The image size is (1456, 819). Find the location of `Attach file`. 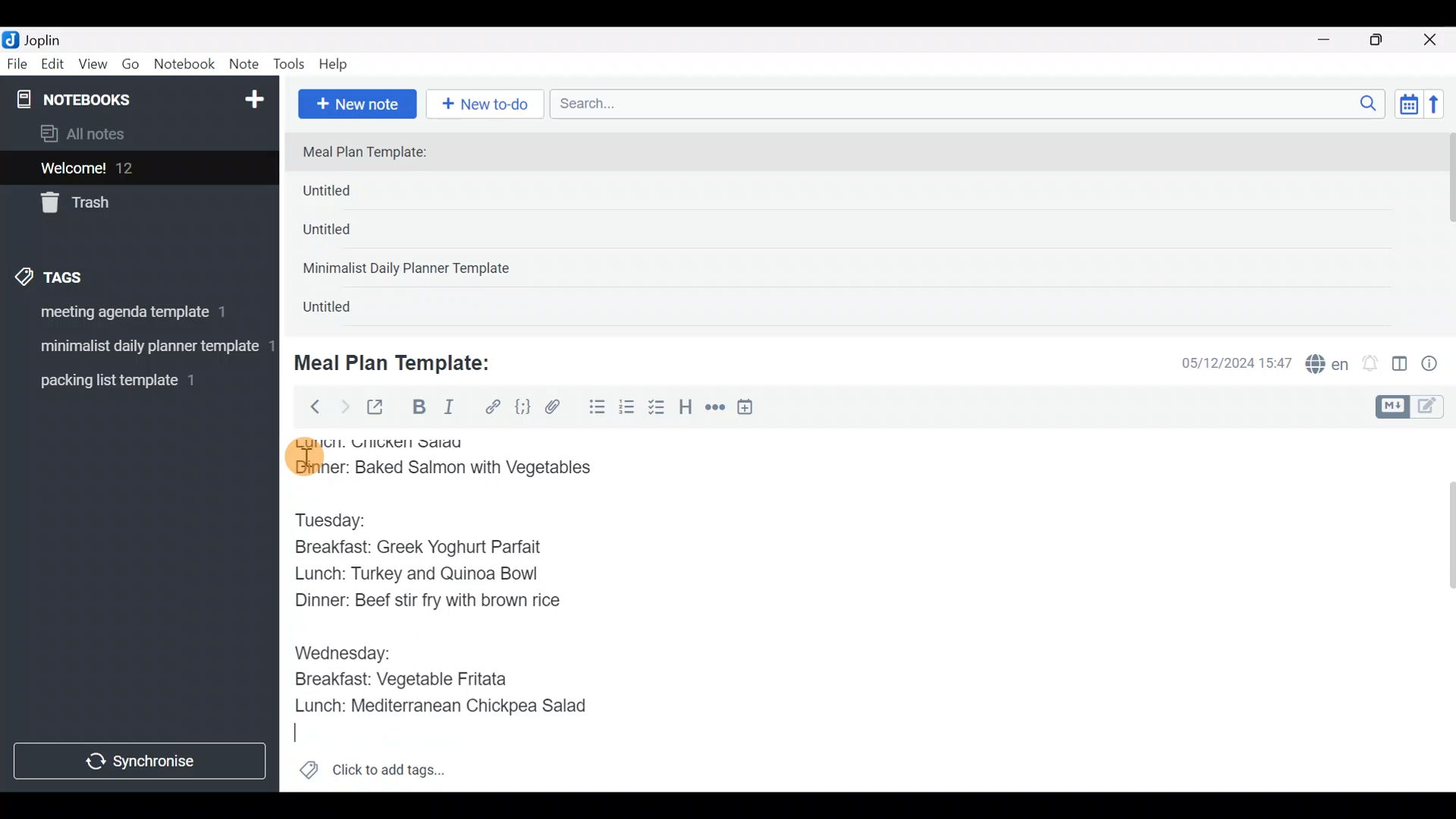

Attach file is located at coordinates (557, 409).